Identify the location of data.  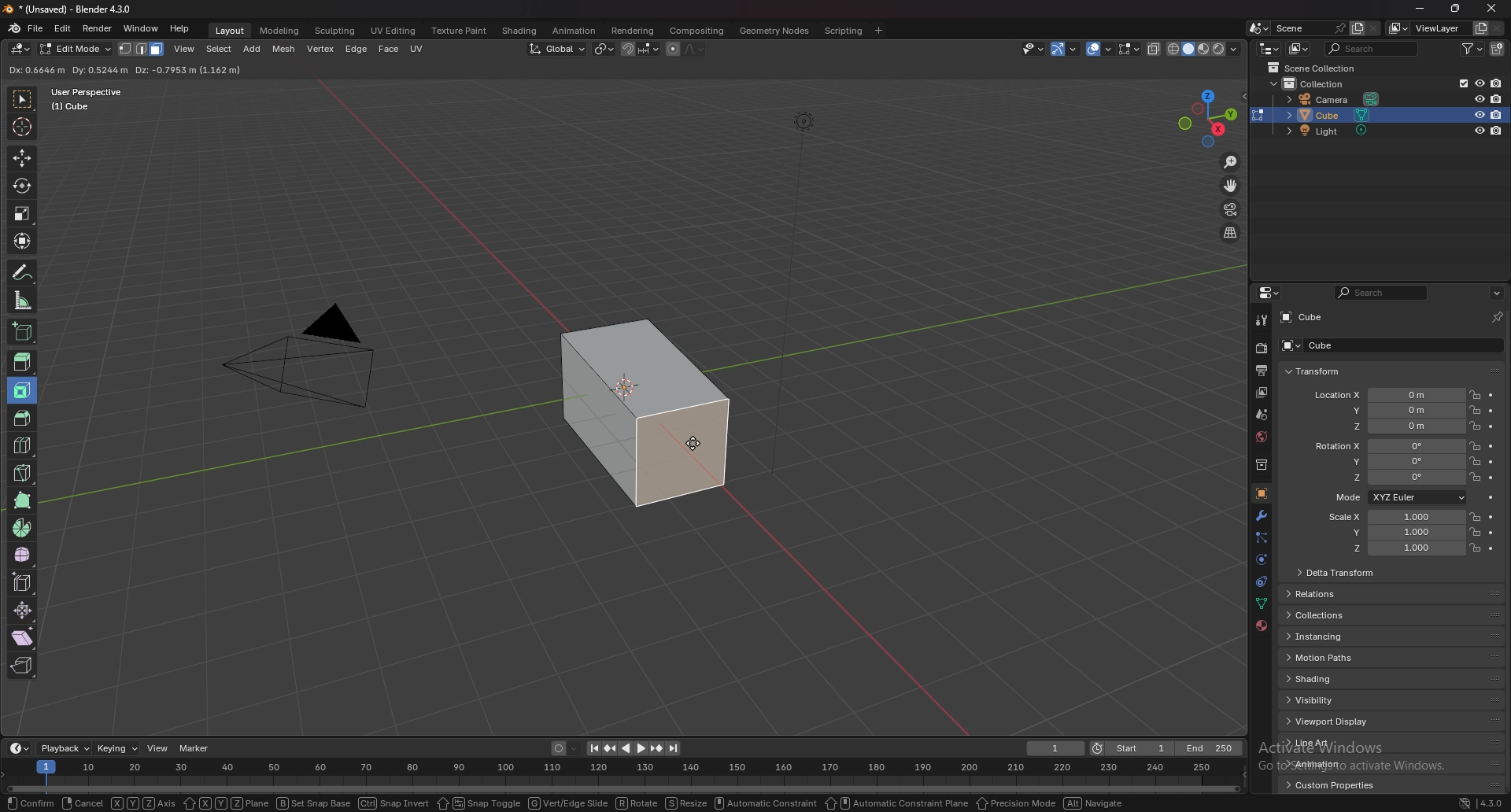
(1260, 605).